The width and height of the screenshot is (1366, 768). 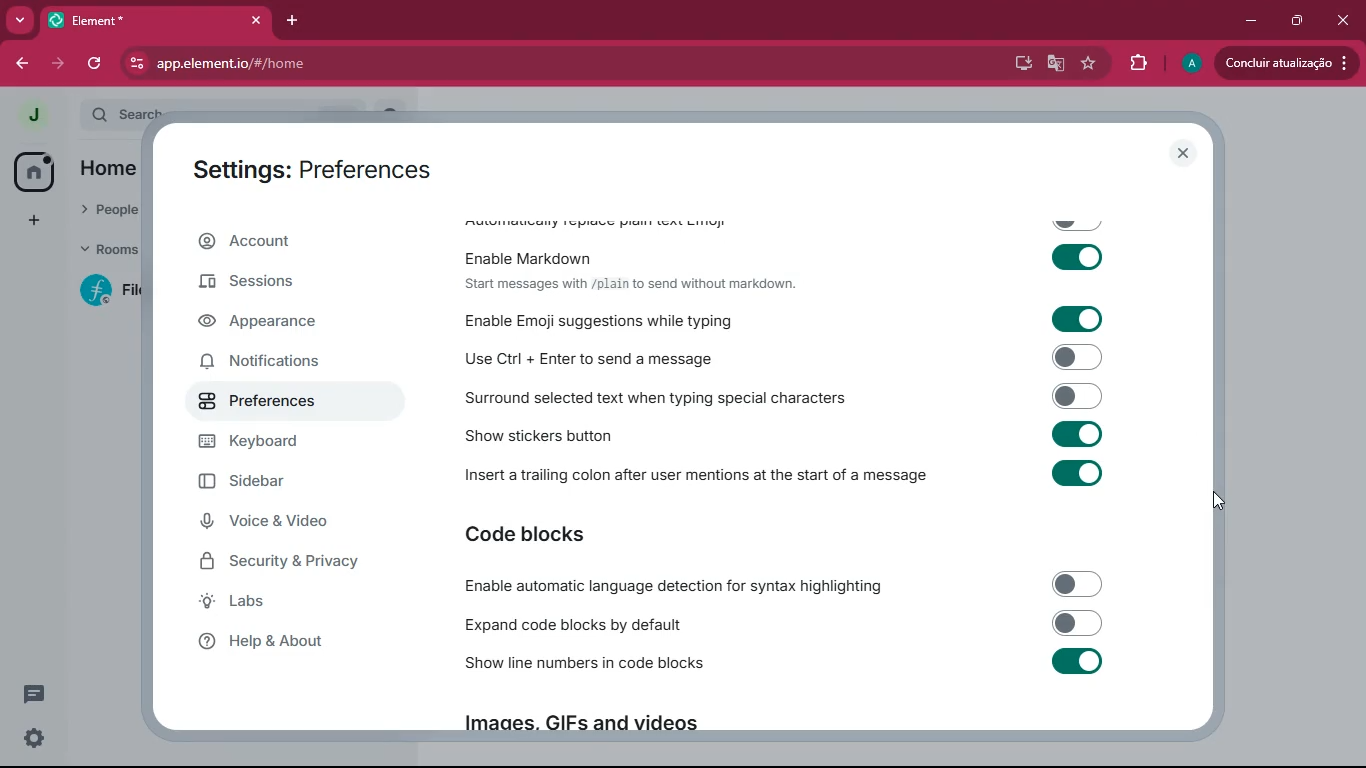 What do you see at coordinates (277, 604) in the screenshot?
I see `labs` at bounding box center [277, 604].